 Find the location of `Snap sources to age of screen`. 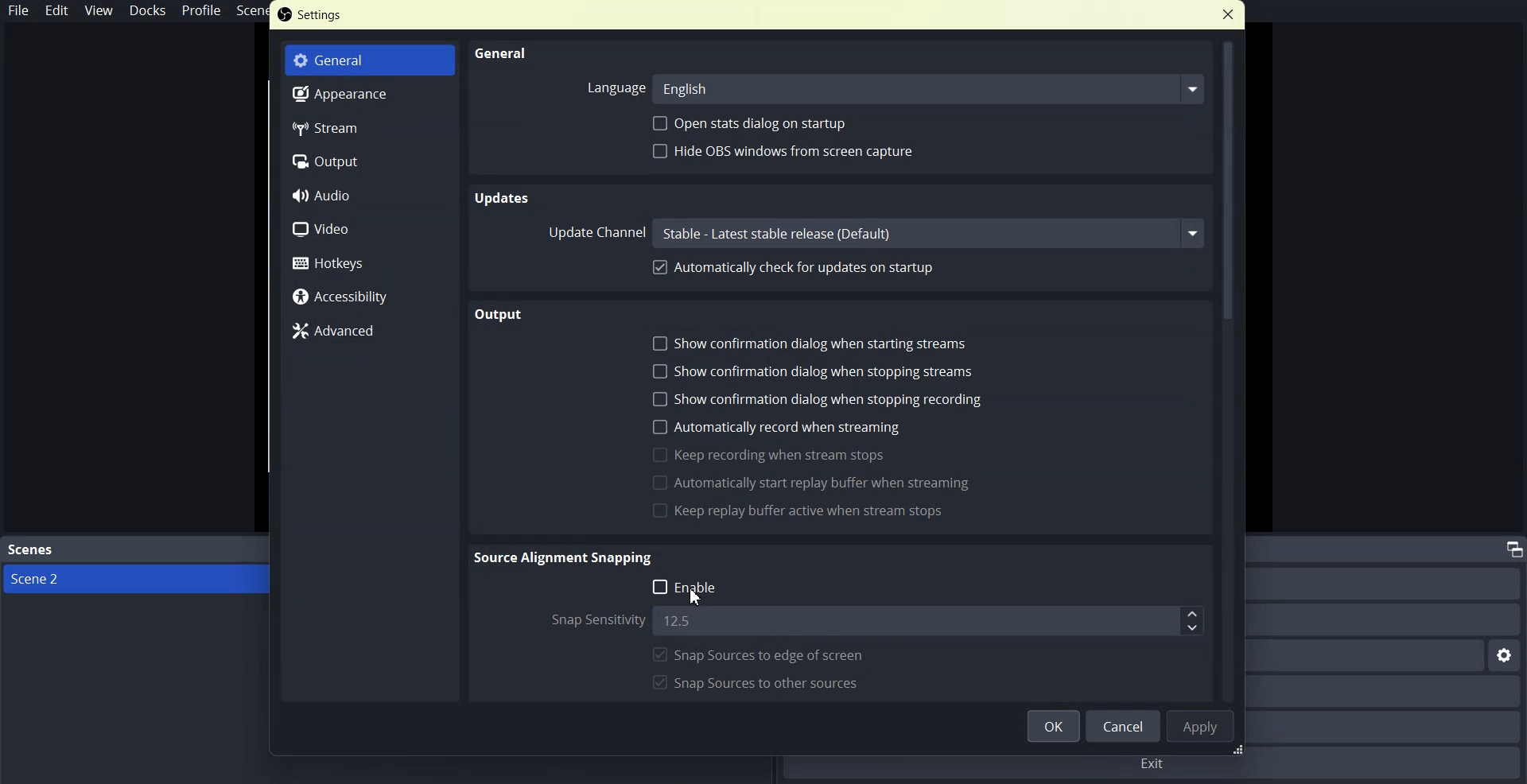

Snap sources to age of screen is located at coordinates (756, 654).